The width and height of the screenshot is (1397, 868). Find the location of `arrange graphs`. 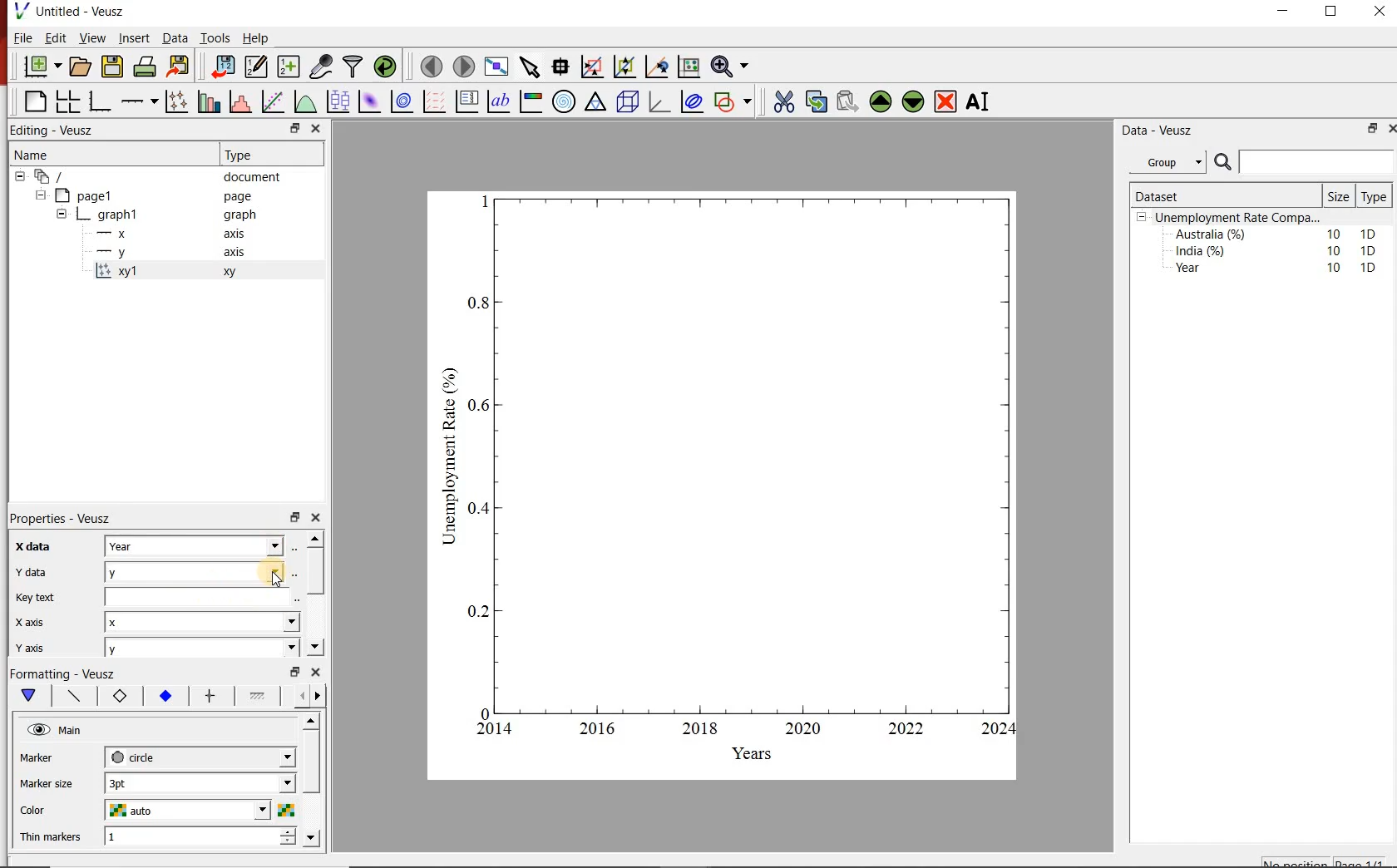

arrange graphs is located at coordinates (67, 101).